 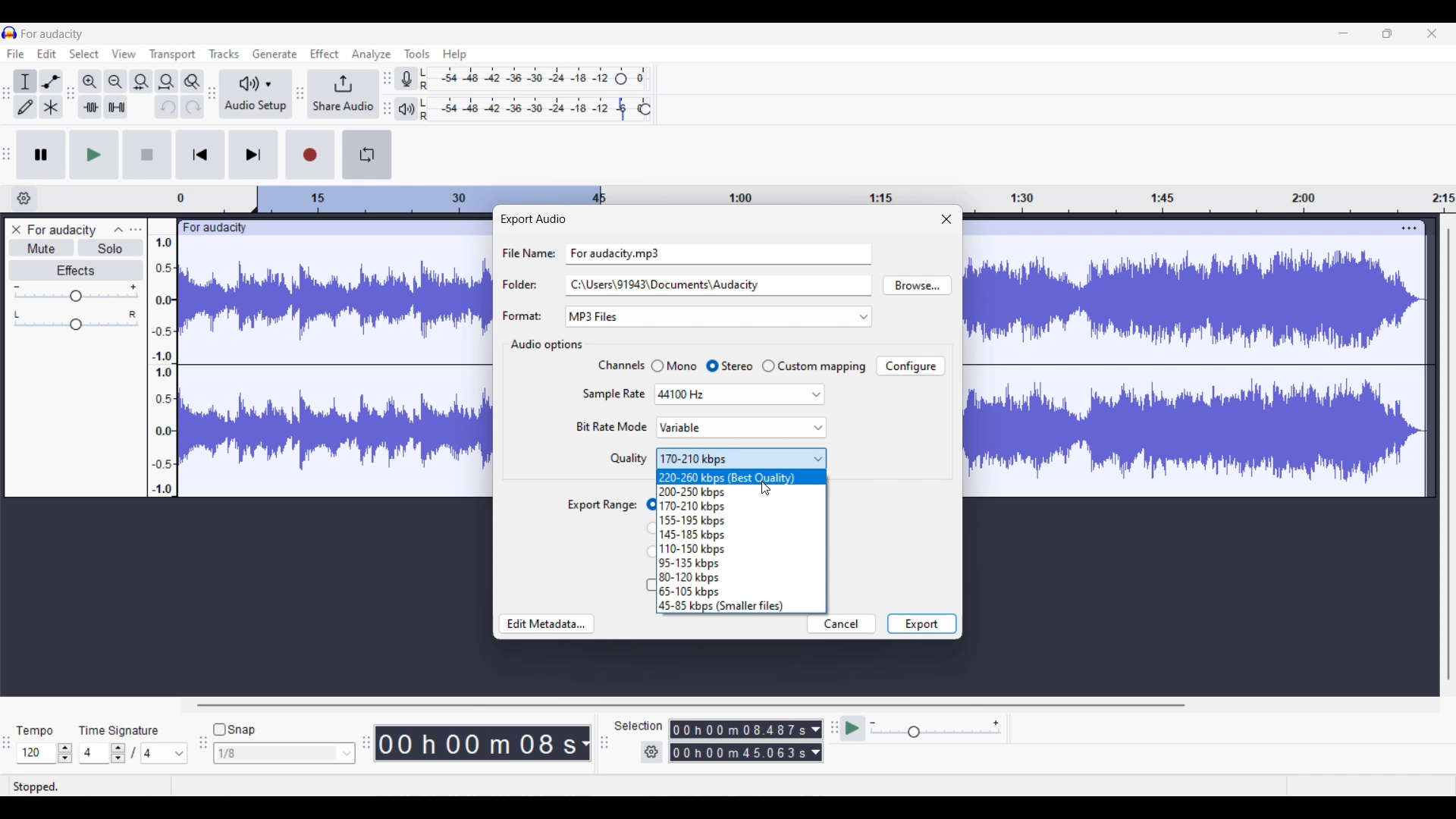 What do you see at coordinates (690, 705) in the screenshot?
I see `Horizontal slide bar` at bounding box center [690, 705].